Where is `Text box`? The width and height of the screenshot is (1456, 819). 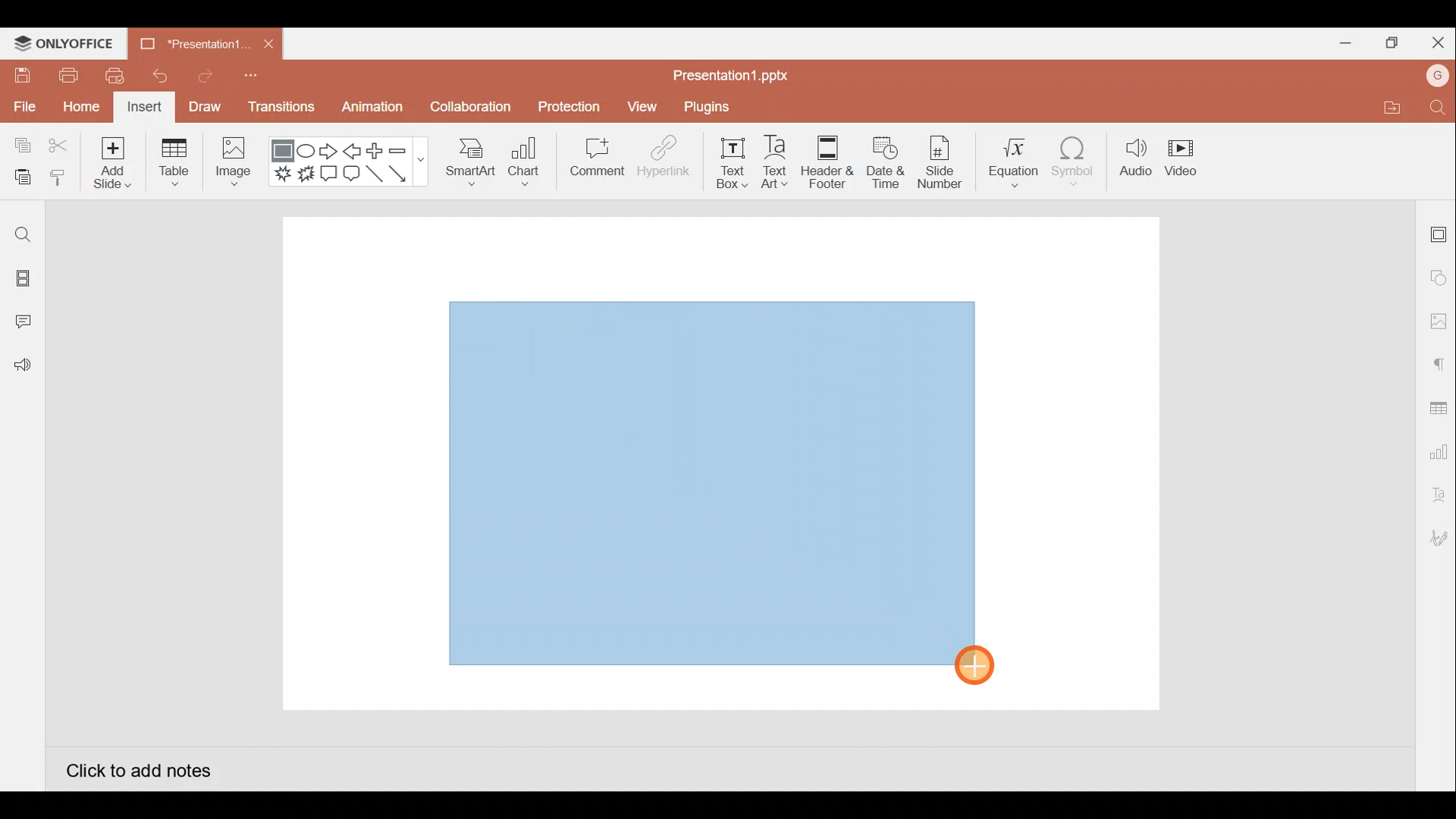
Text box is located at coordinates (733, 163).